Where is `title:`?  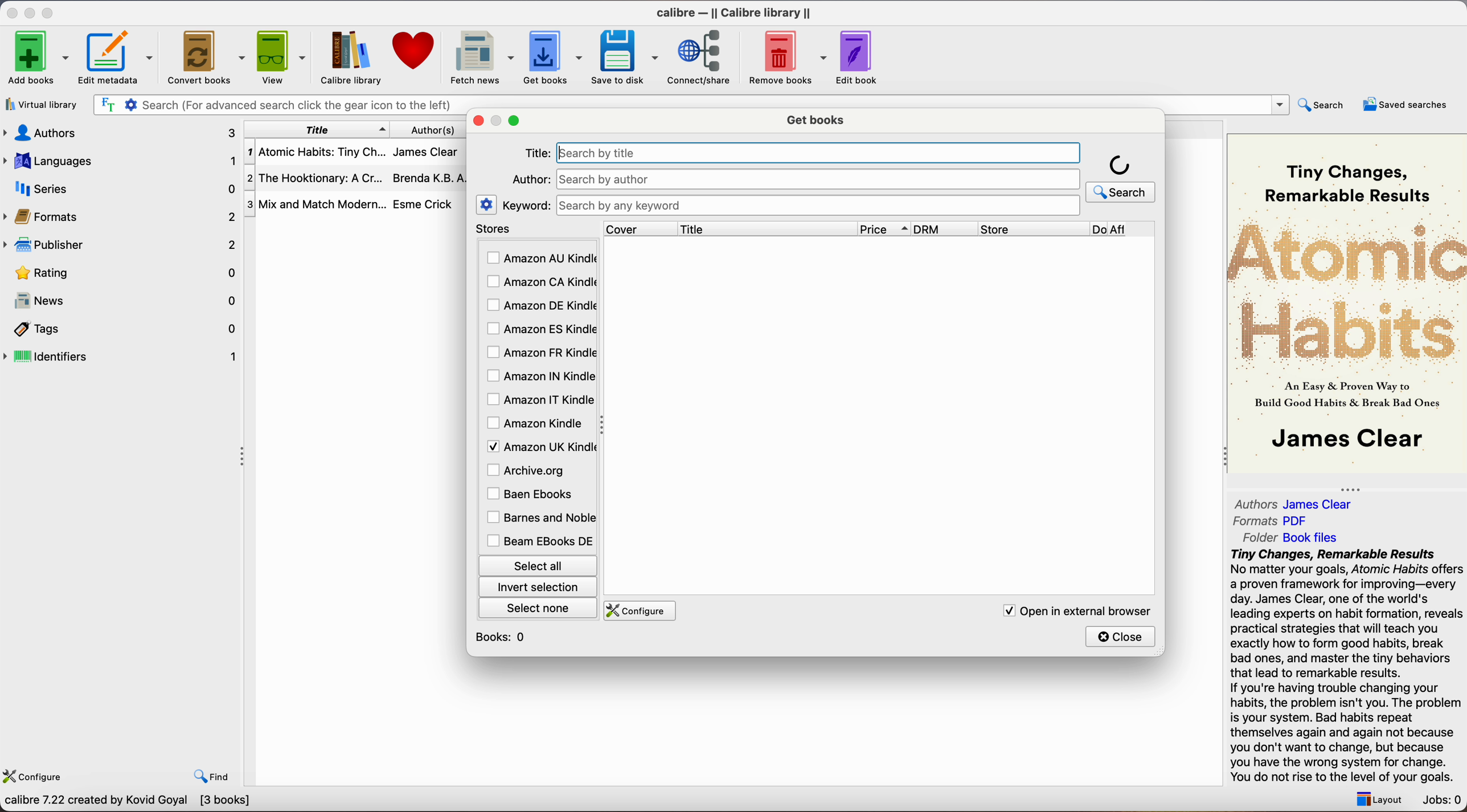
title: is located at coordinates (537, 154).